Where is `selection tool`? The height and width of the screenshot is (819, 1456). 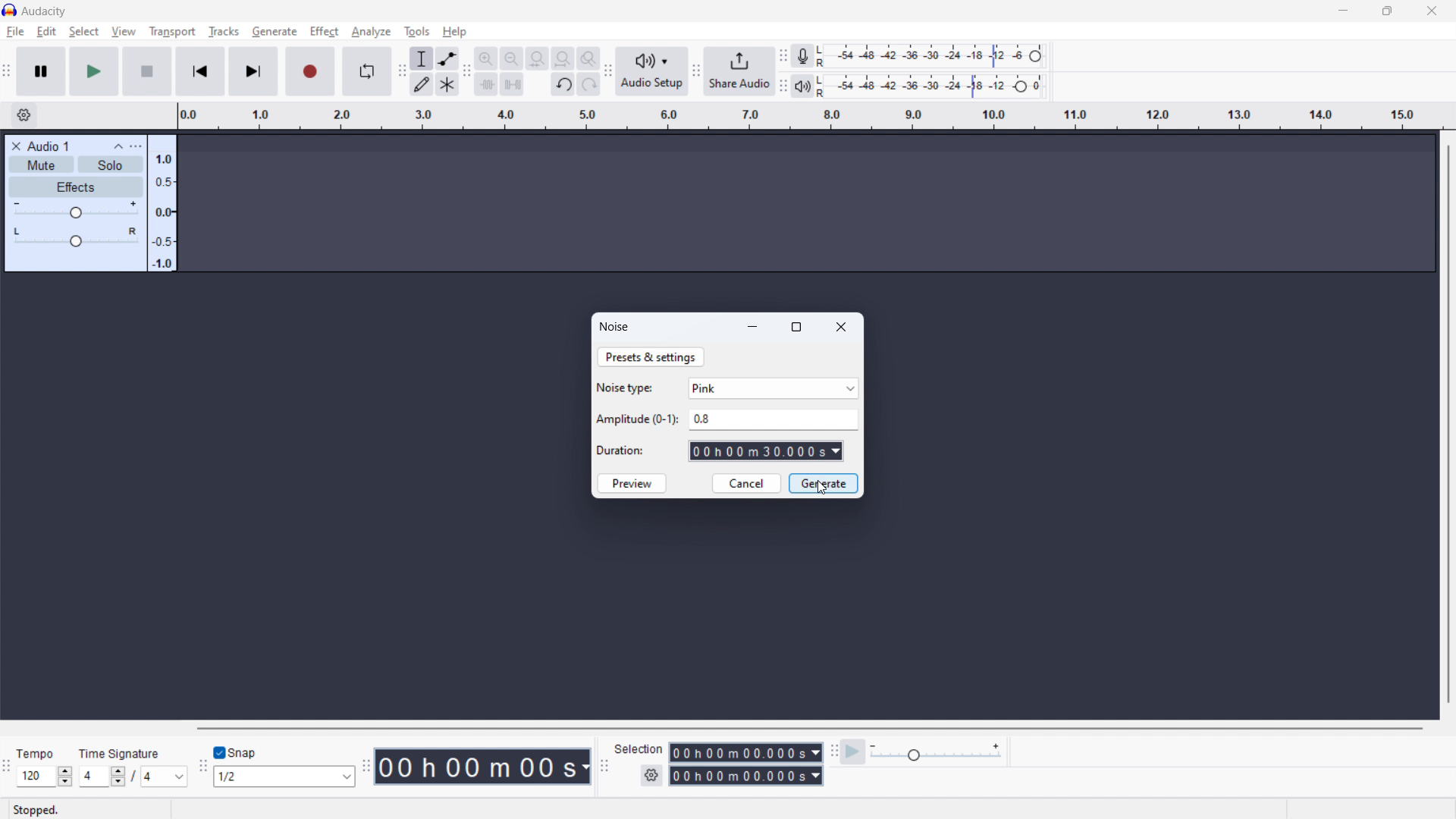 selection tool is located at coordinates (422, 58).